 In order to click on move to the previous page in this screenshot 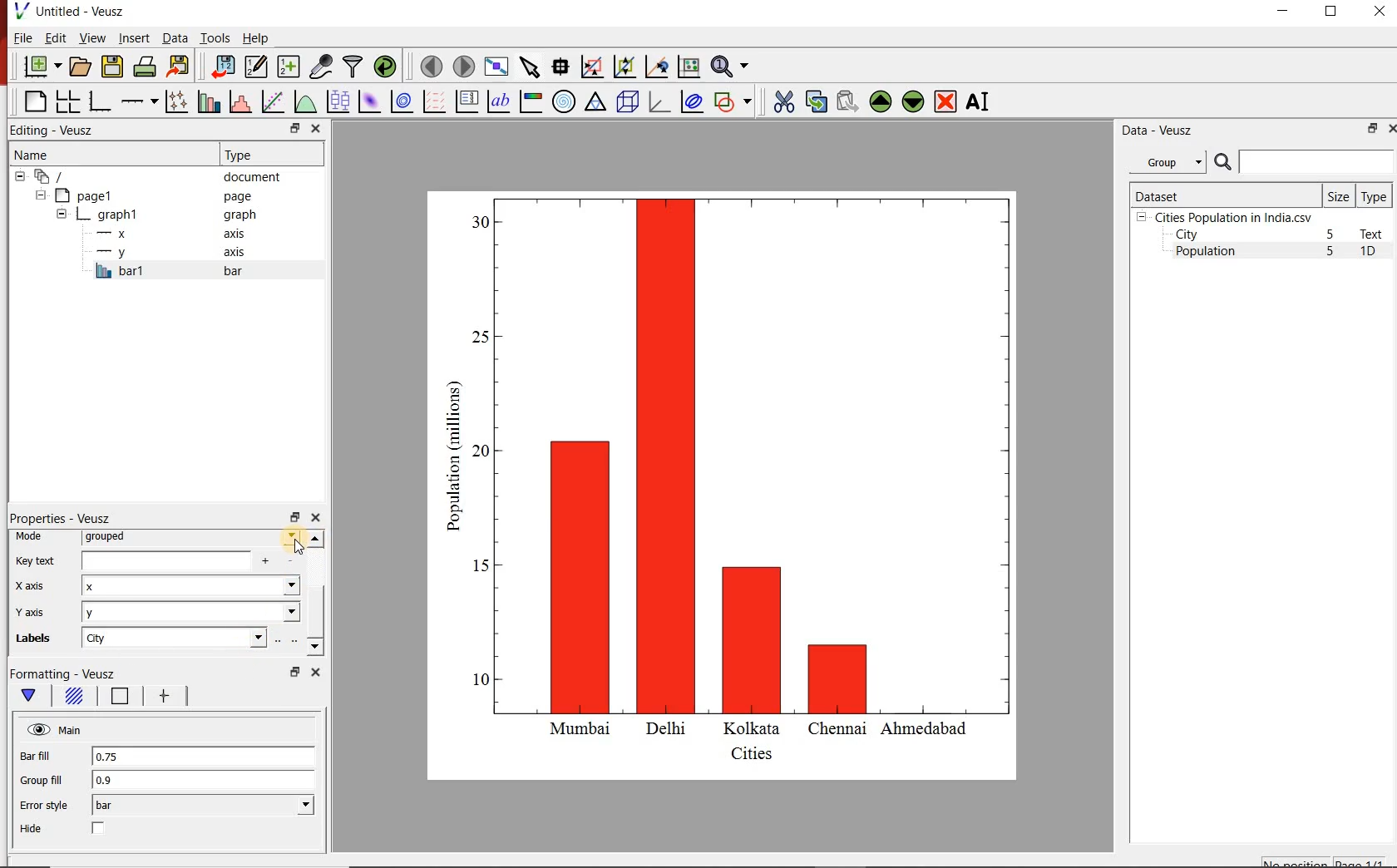, I will do `click(429, 65)`.